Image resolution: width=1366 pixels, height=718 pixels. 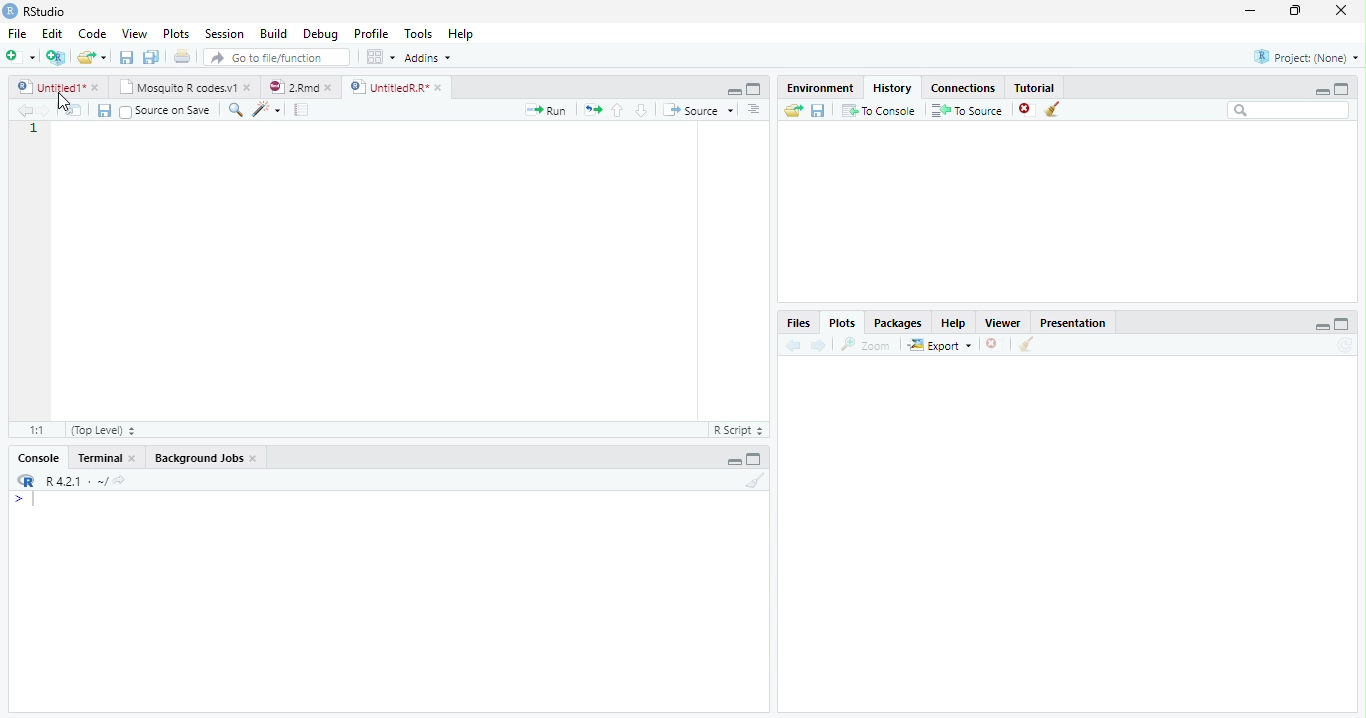 I want to click on Save current document, so click(x=127, y=57).